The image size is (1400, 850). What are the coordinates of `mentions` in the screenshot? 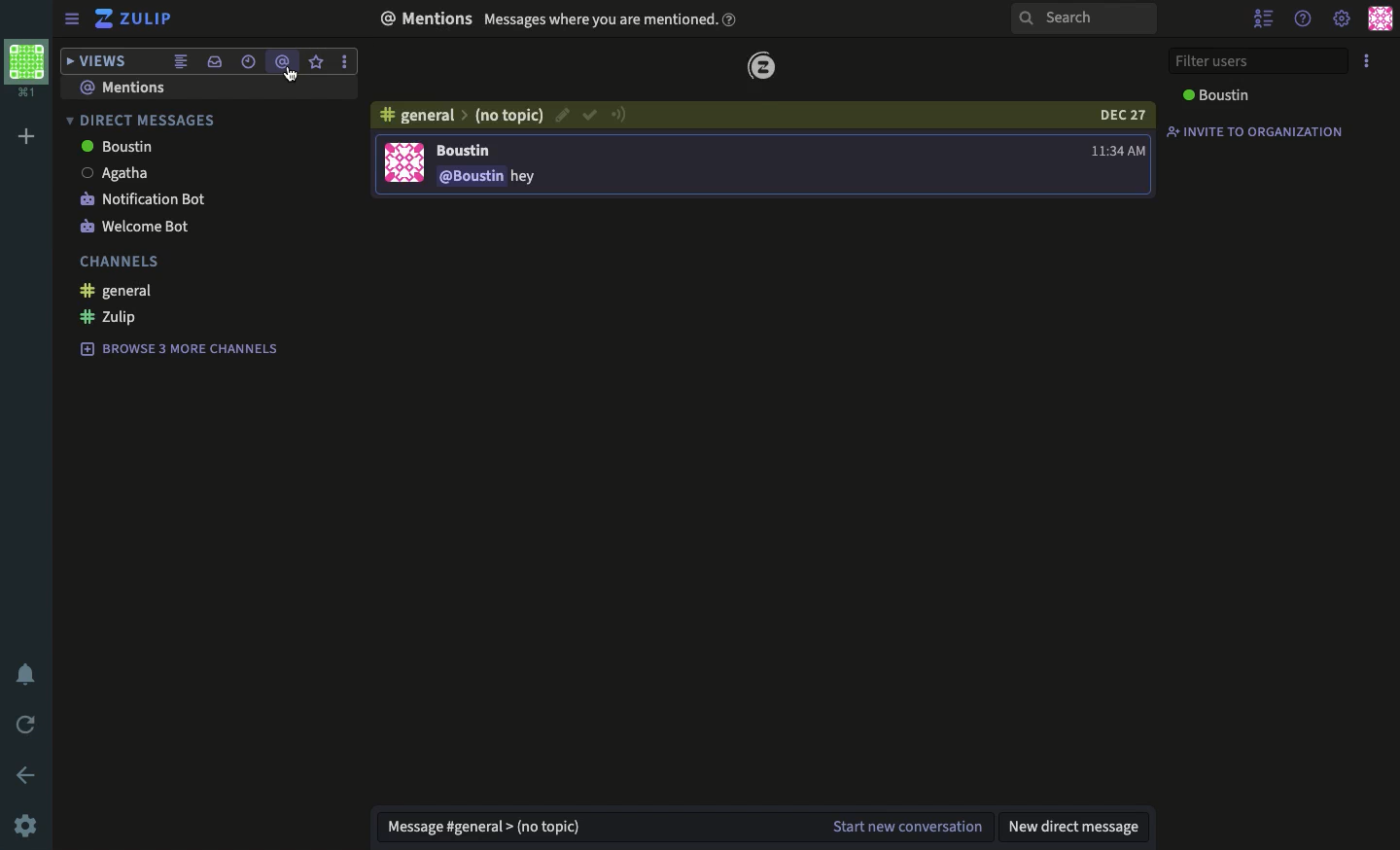 It's located at (139, 87).